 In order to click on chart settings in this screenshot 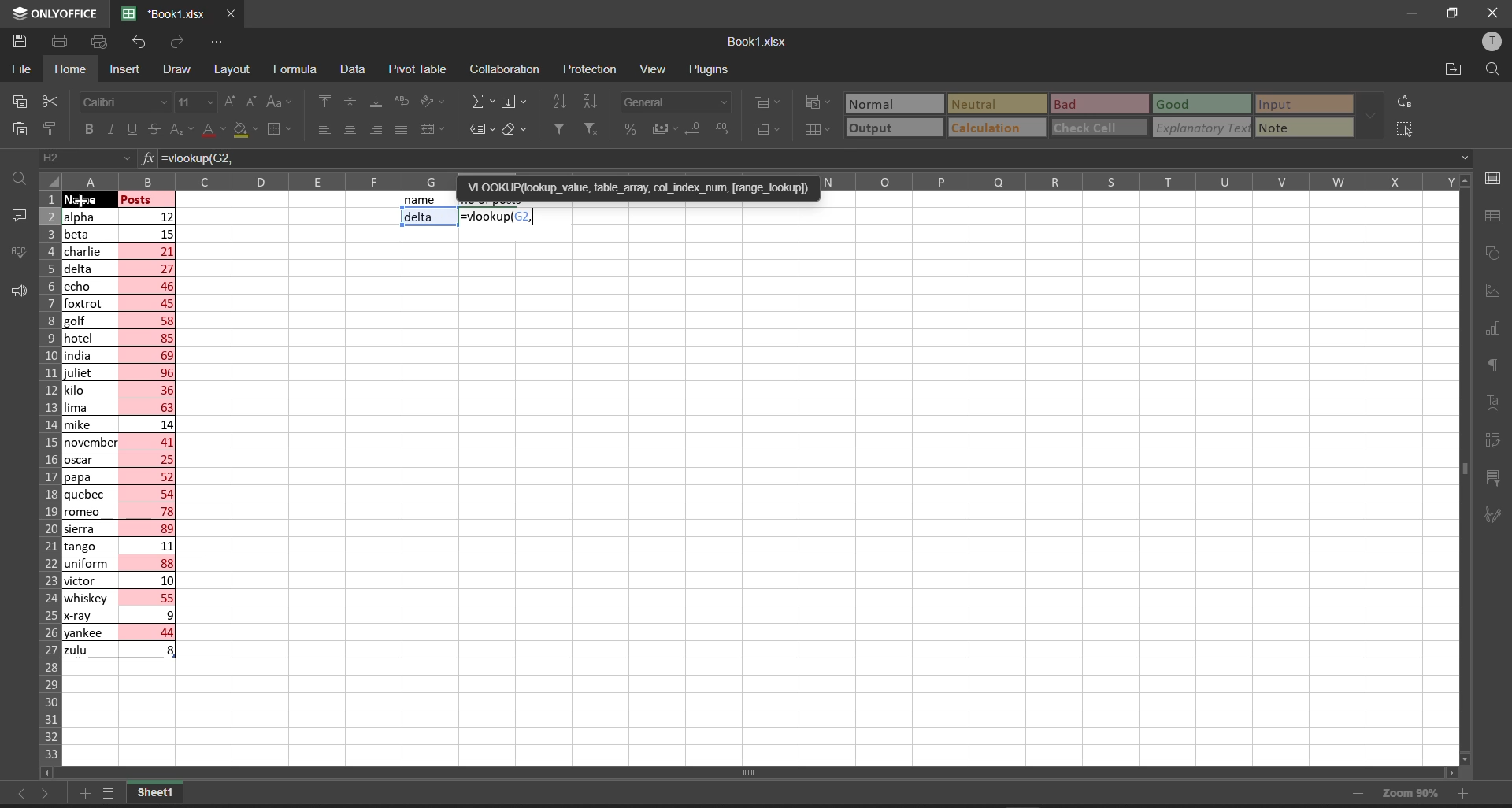, I will do `click(1499, 329)`.